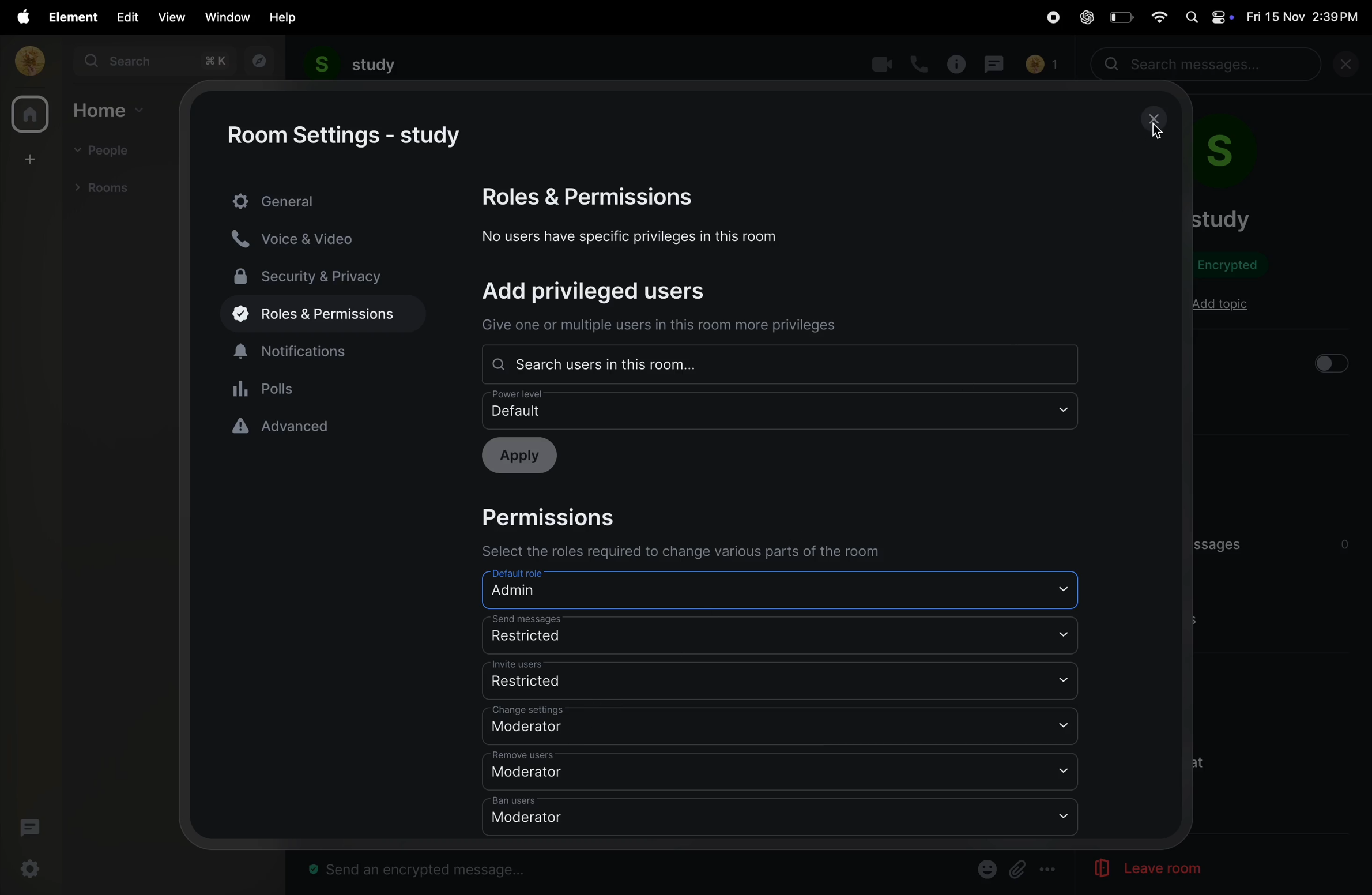 This screenshot has height=895, width=1372. What do you see at coordinates (555, 516) in the screenshot?
I see `Permissions` at bounding box center [555, 516].